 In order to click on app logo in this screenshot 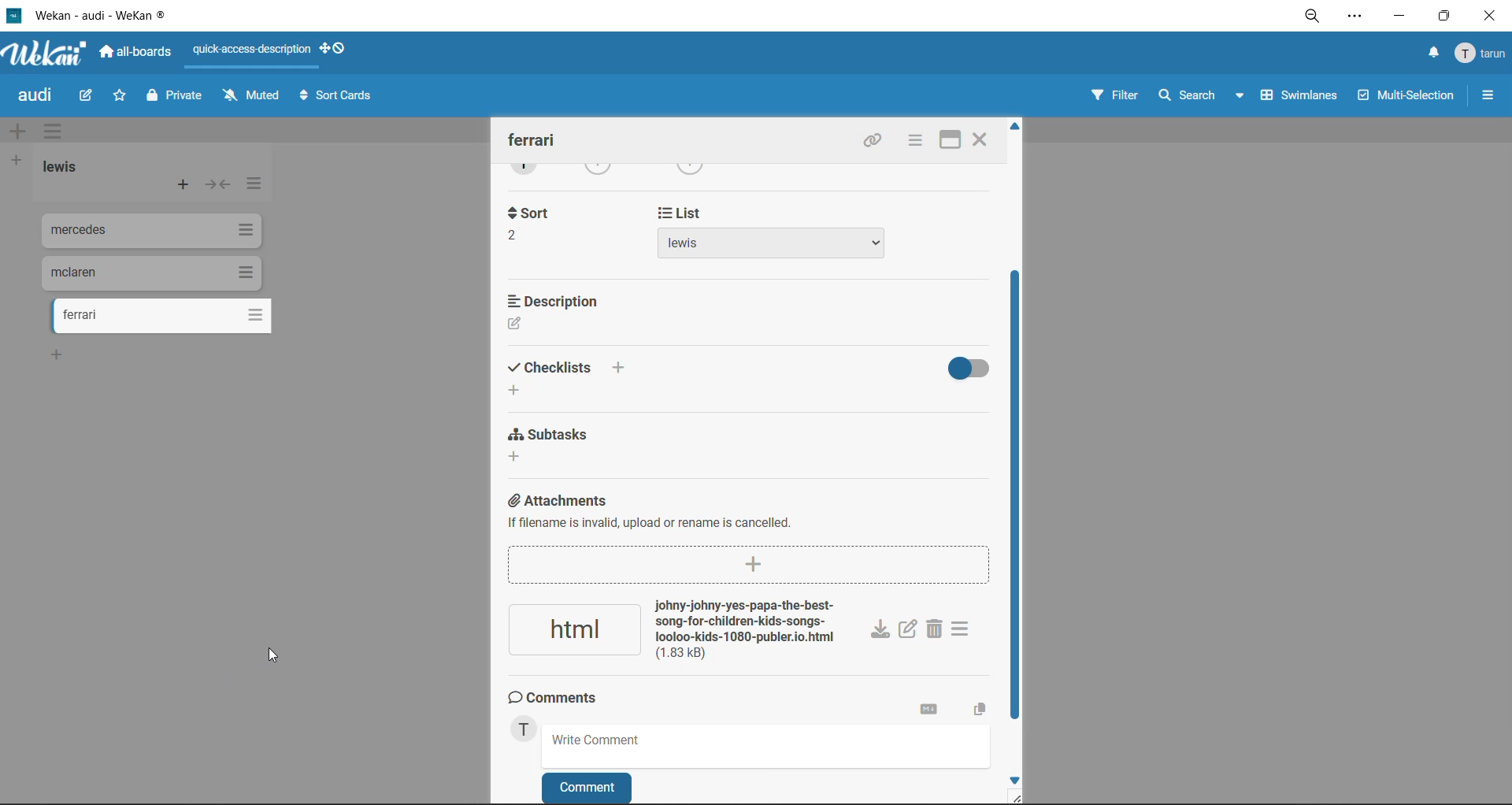, I will do `click(53, 54)`.